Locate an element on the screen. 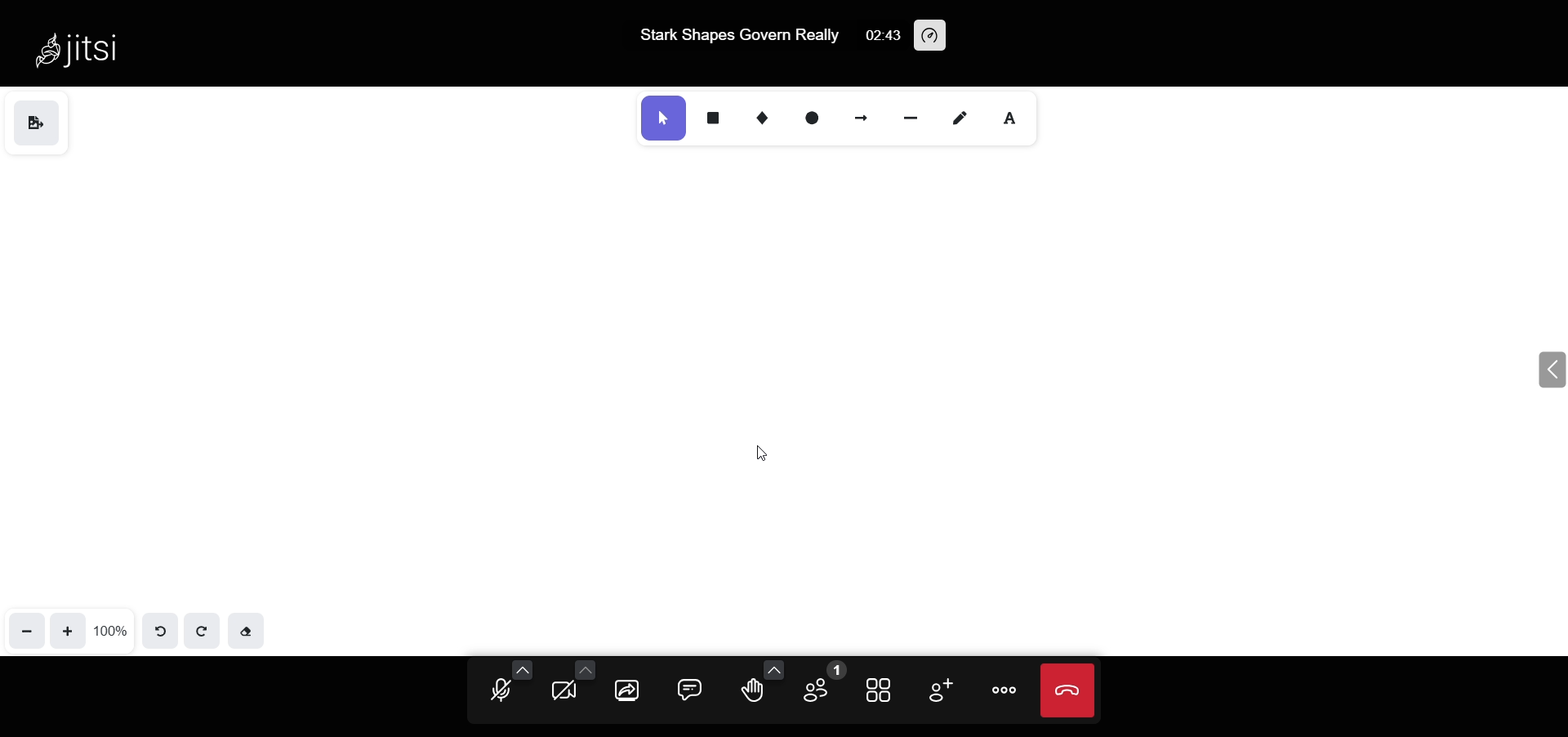 This screenshot has height=737, width=1568. ellipse is located at coordinates (814, 118).